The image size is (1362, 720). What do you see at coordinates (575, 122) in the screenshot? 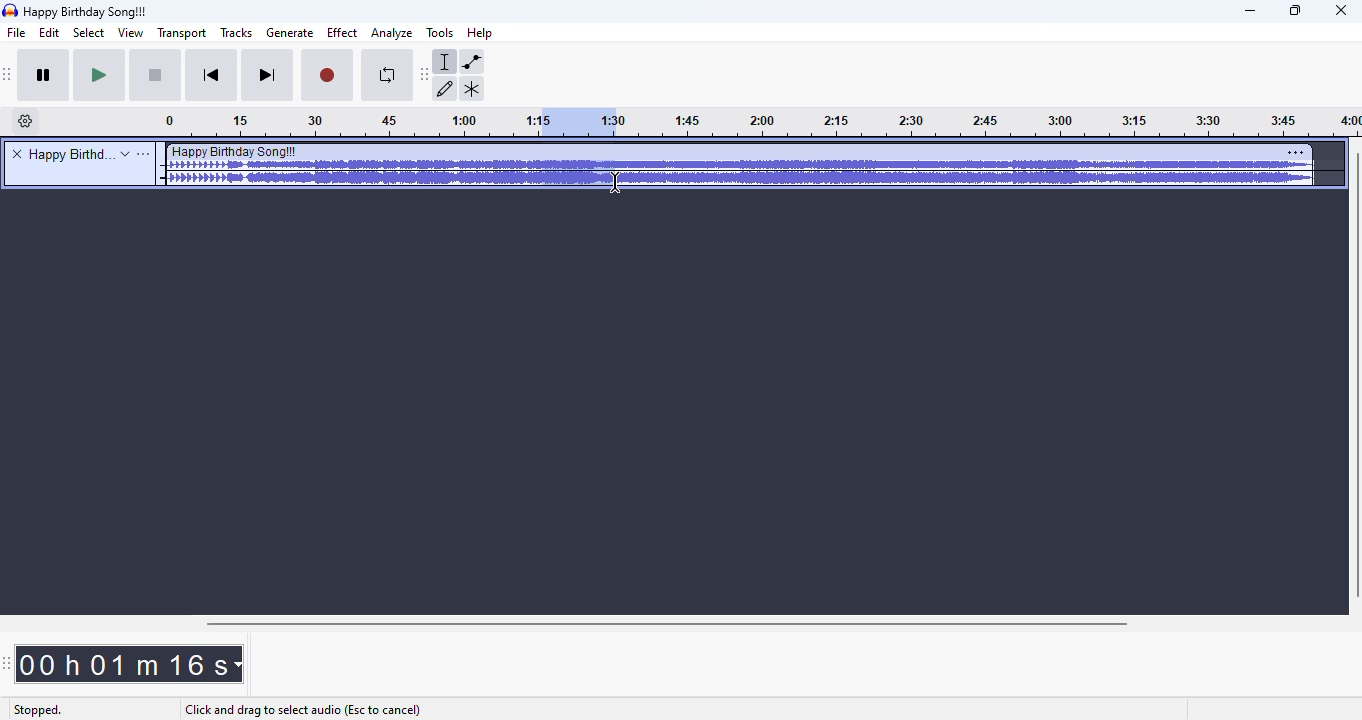
I see `selected audio` at bounding box center [575, 122].